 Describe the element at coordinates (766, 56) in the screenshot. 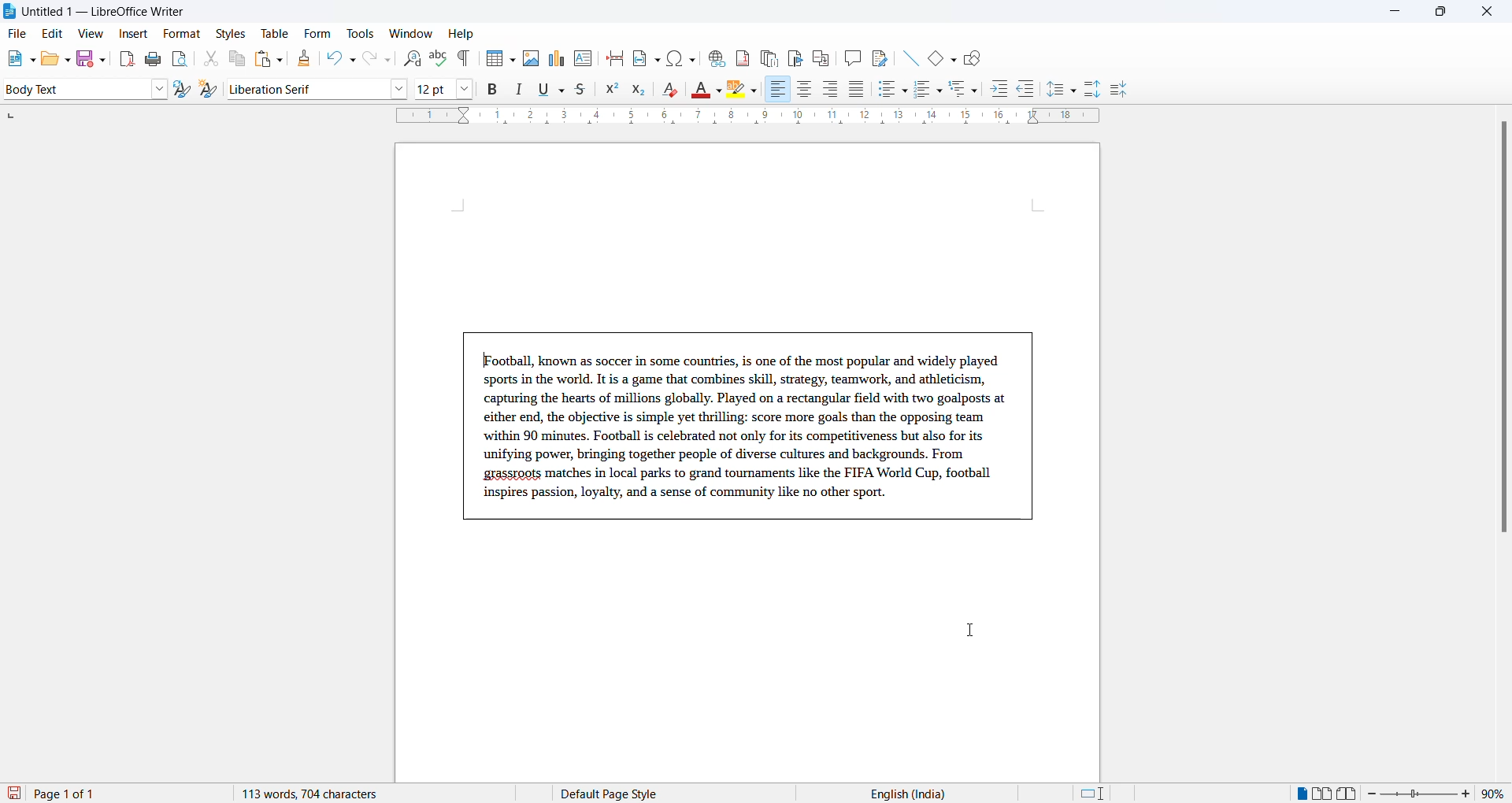

I see `insert endnote` at that location.